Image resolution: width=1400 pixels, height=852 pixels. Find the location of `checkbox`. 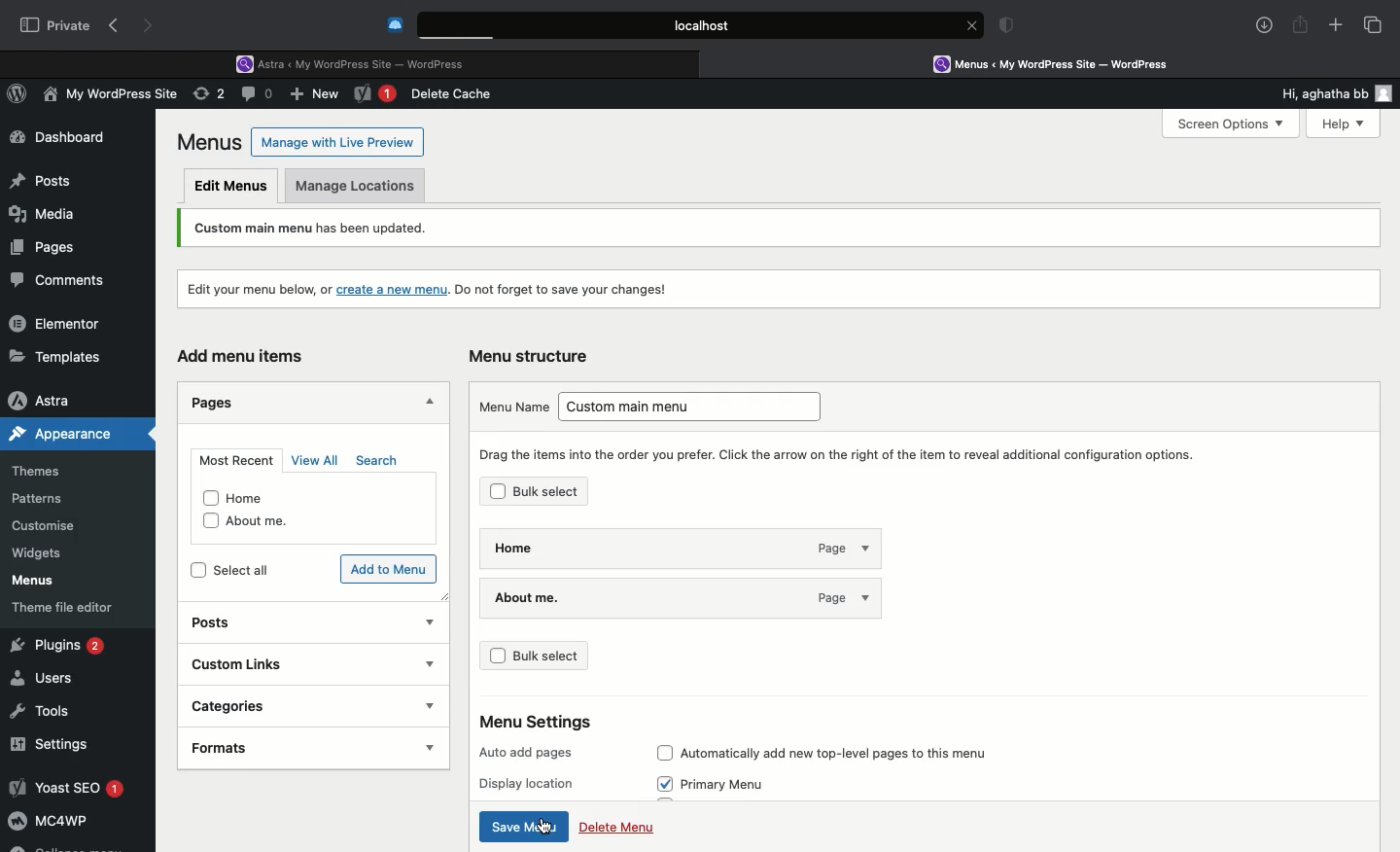

checkbox is located at coordinates (499, 656).